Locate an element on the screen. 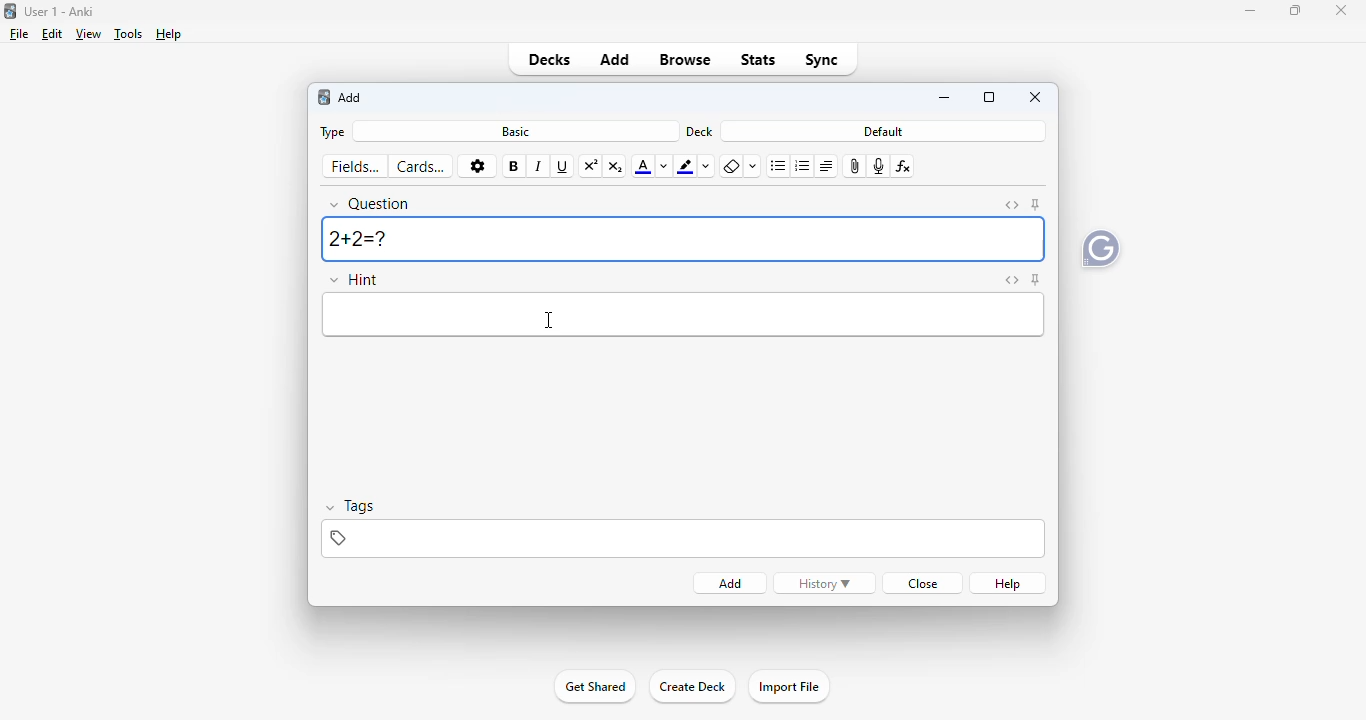  text highlighting color is located at coordinates (686, 167).